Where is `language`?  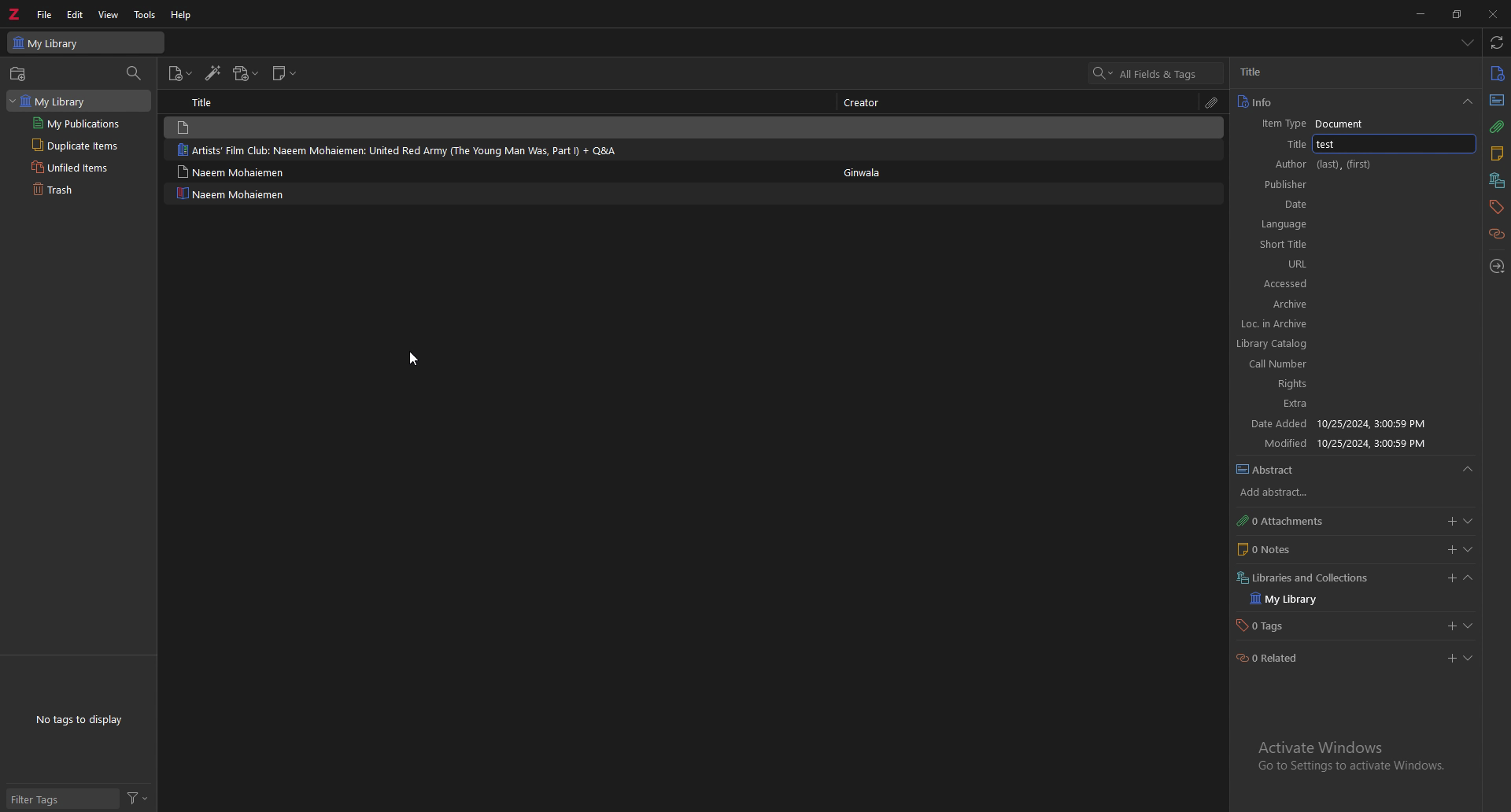
language is located at coordinates (1280, 465).